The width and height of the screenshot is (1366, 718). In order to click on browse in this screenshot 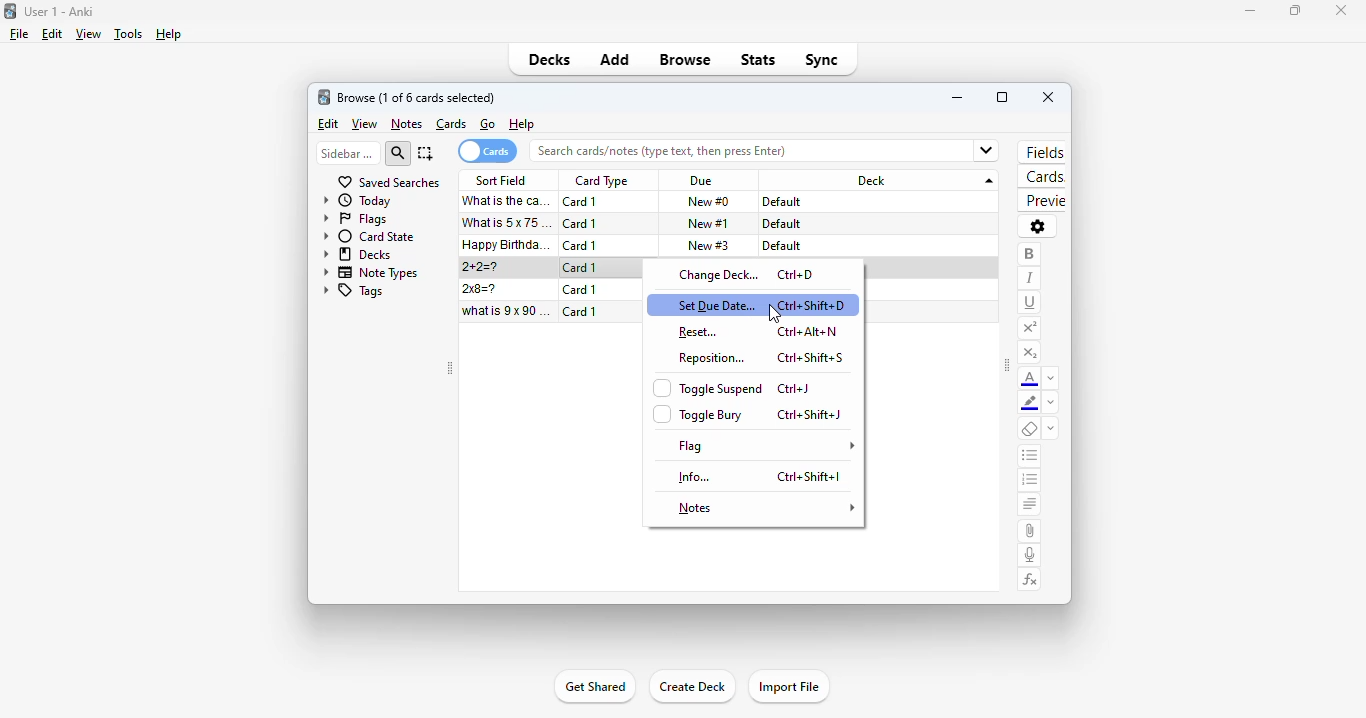, I will do `click(686, 61)`.